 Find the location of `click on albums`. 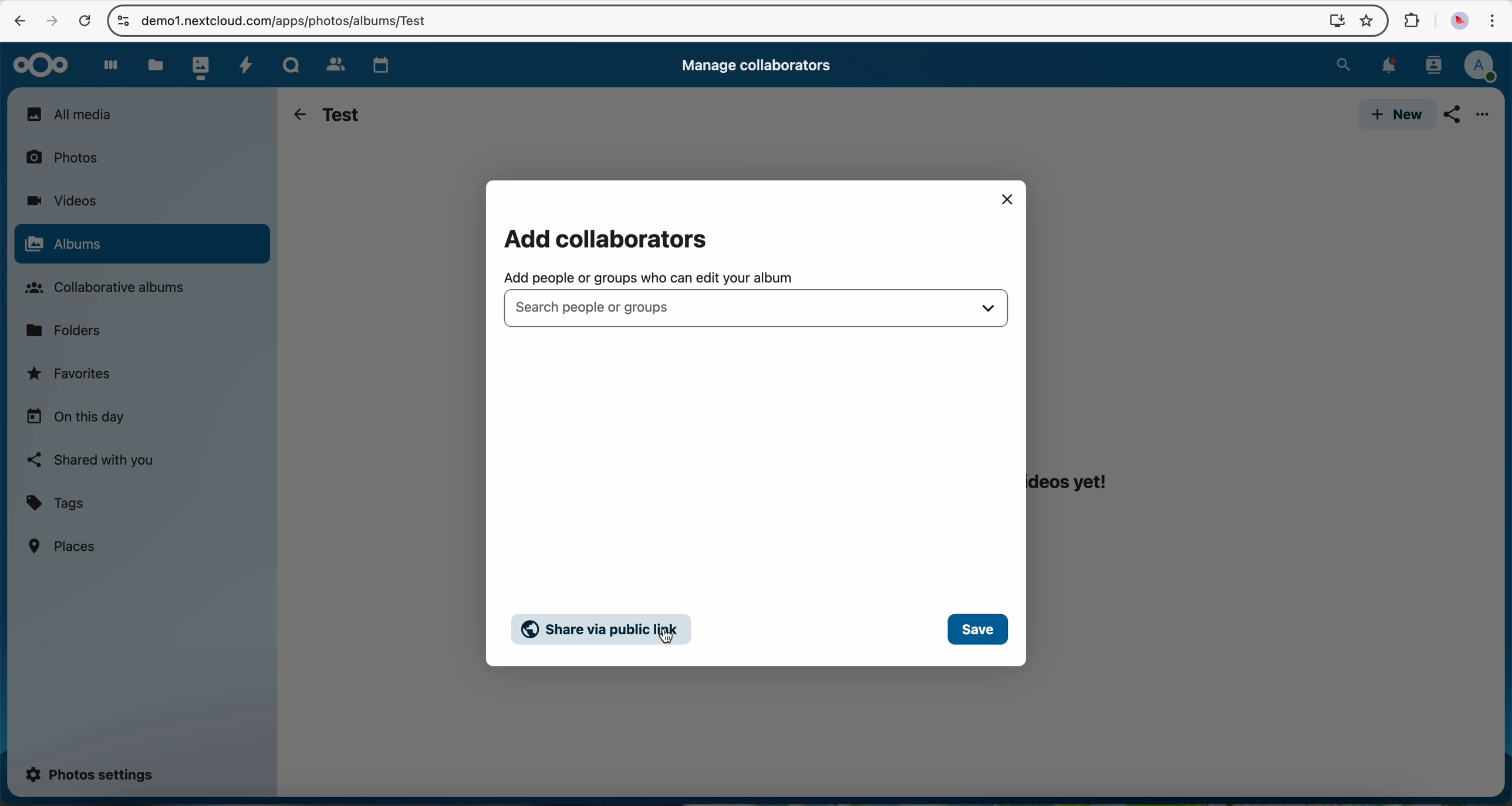

click on albums is located at coordinates (141, 245).